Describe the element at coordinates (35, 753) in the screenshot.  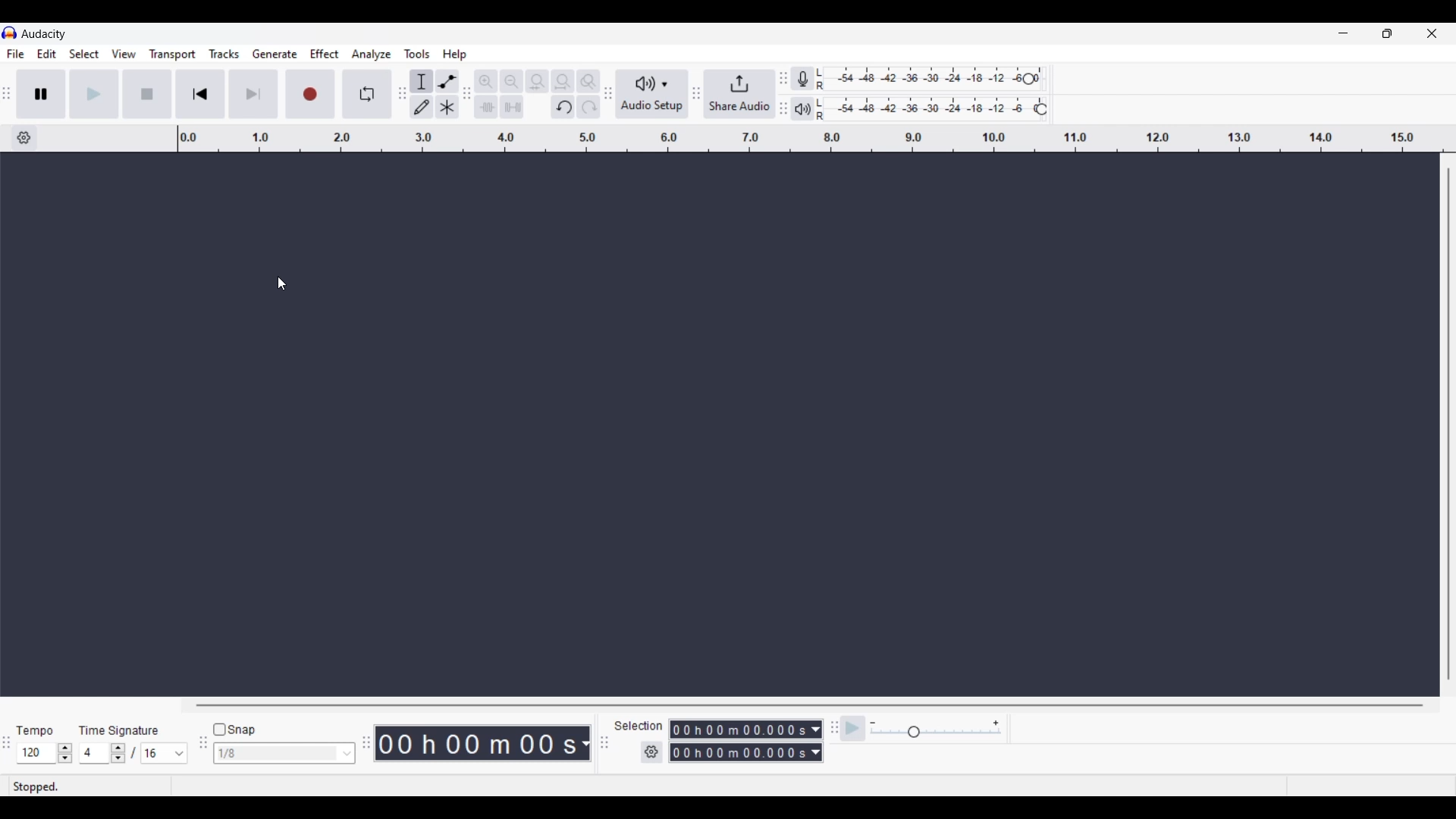
I see `Selected tempo` at that location.